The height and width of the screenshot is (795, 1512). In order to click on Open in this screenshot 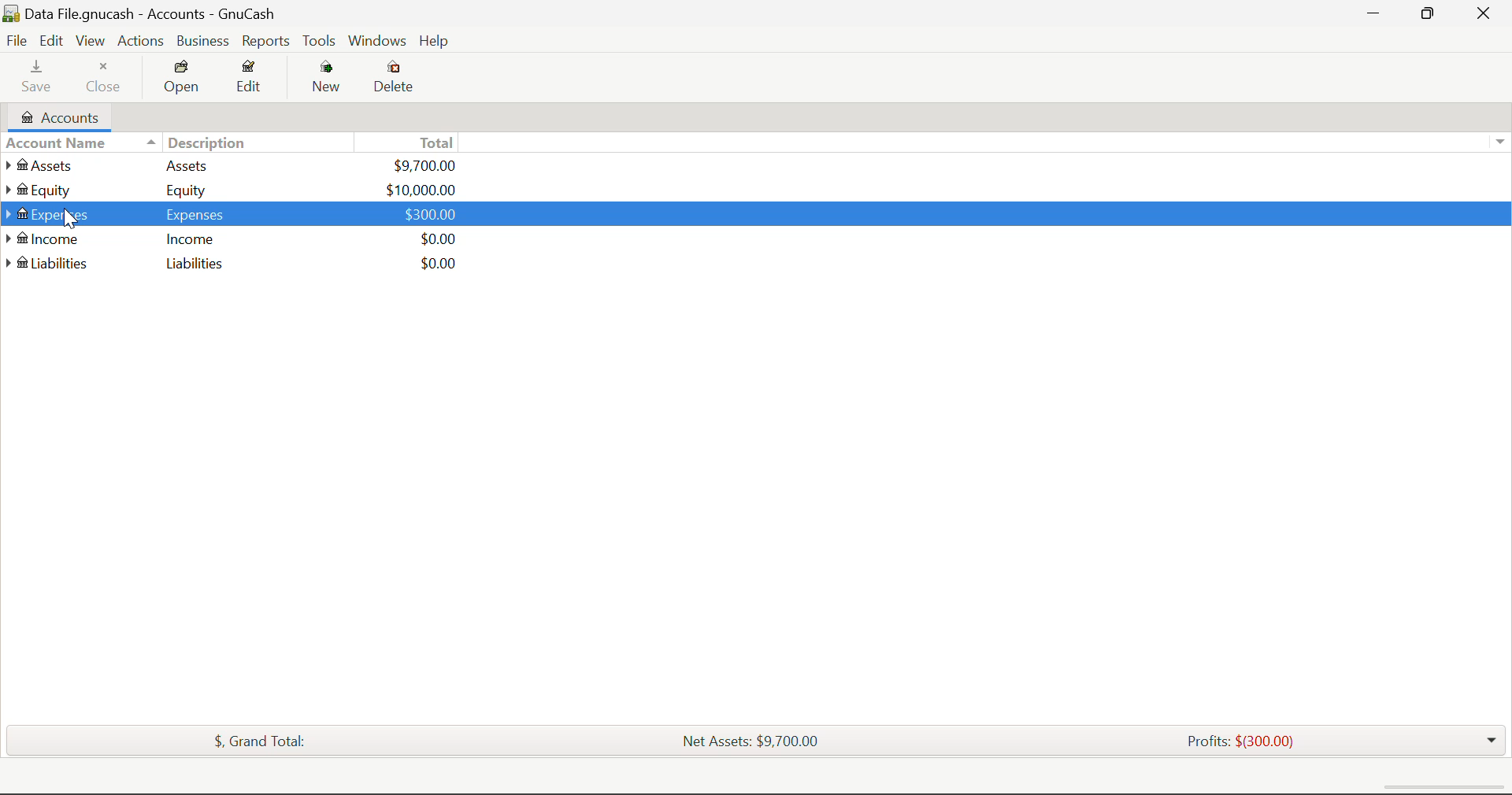, I will do `click(180, 79)`.